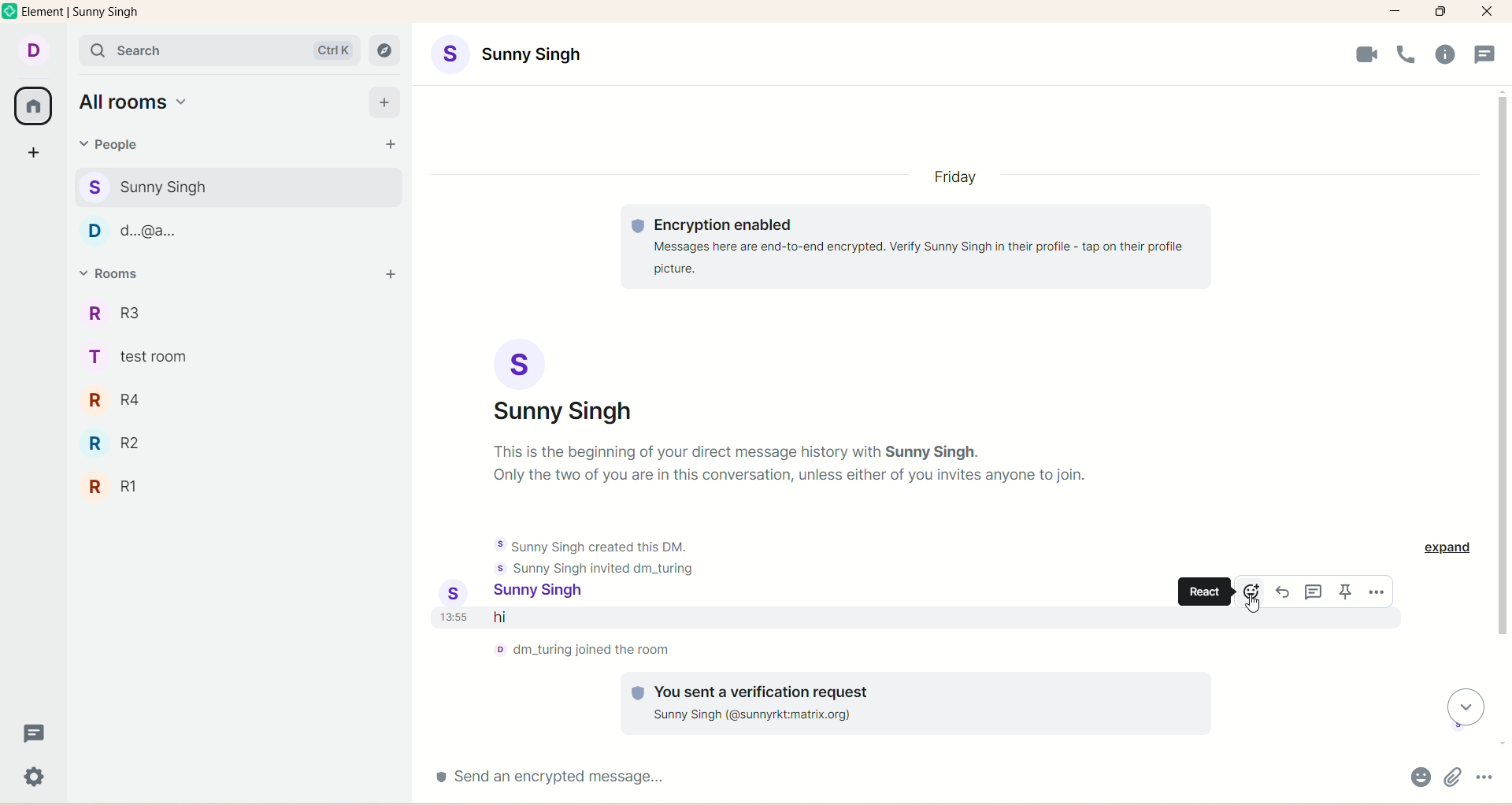  I want to click on scroll, so click(1466, 707).